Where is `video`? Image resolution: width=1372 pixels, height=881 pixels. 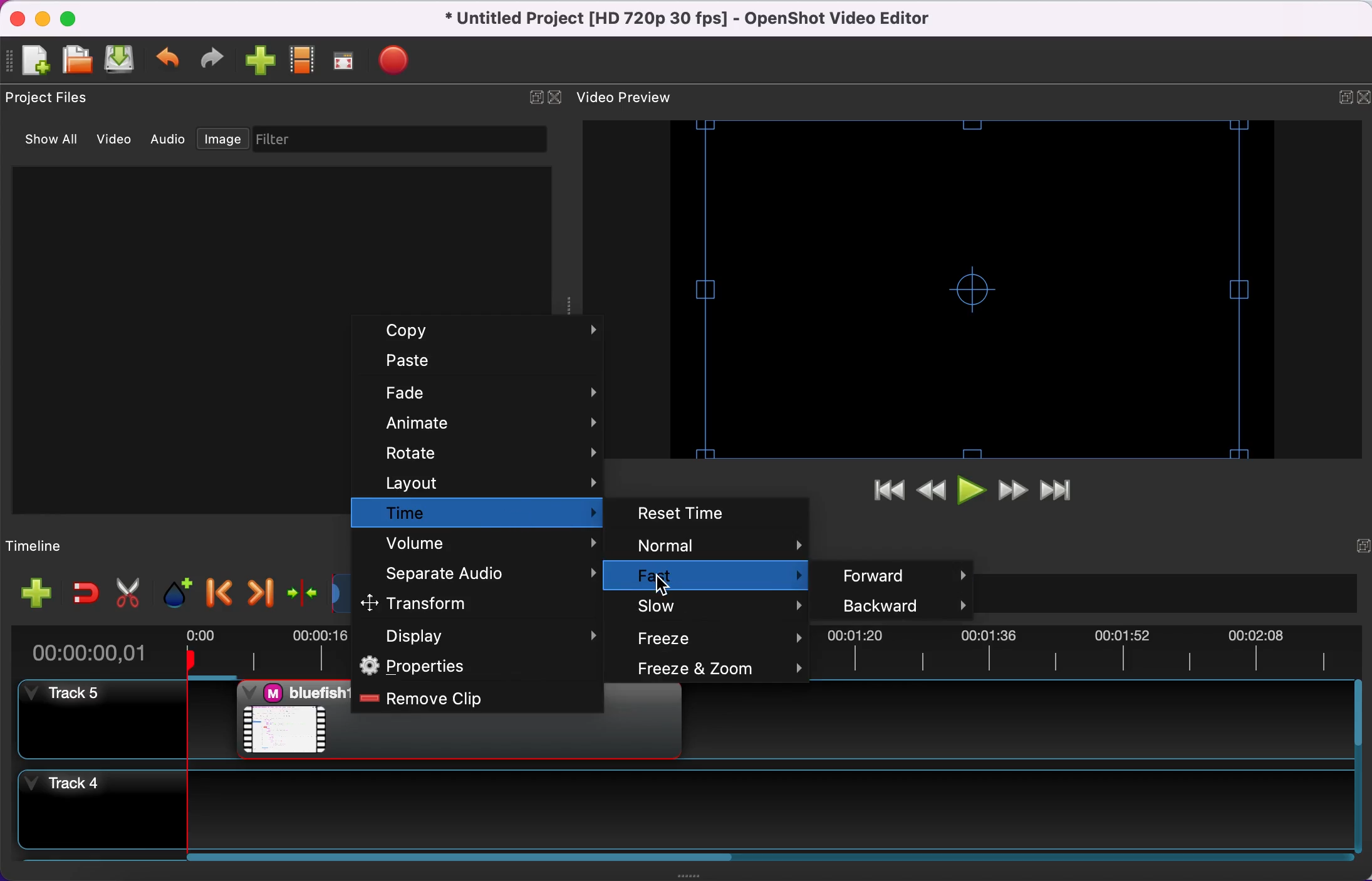 video is located at coordinates (117, 141).